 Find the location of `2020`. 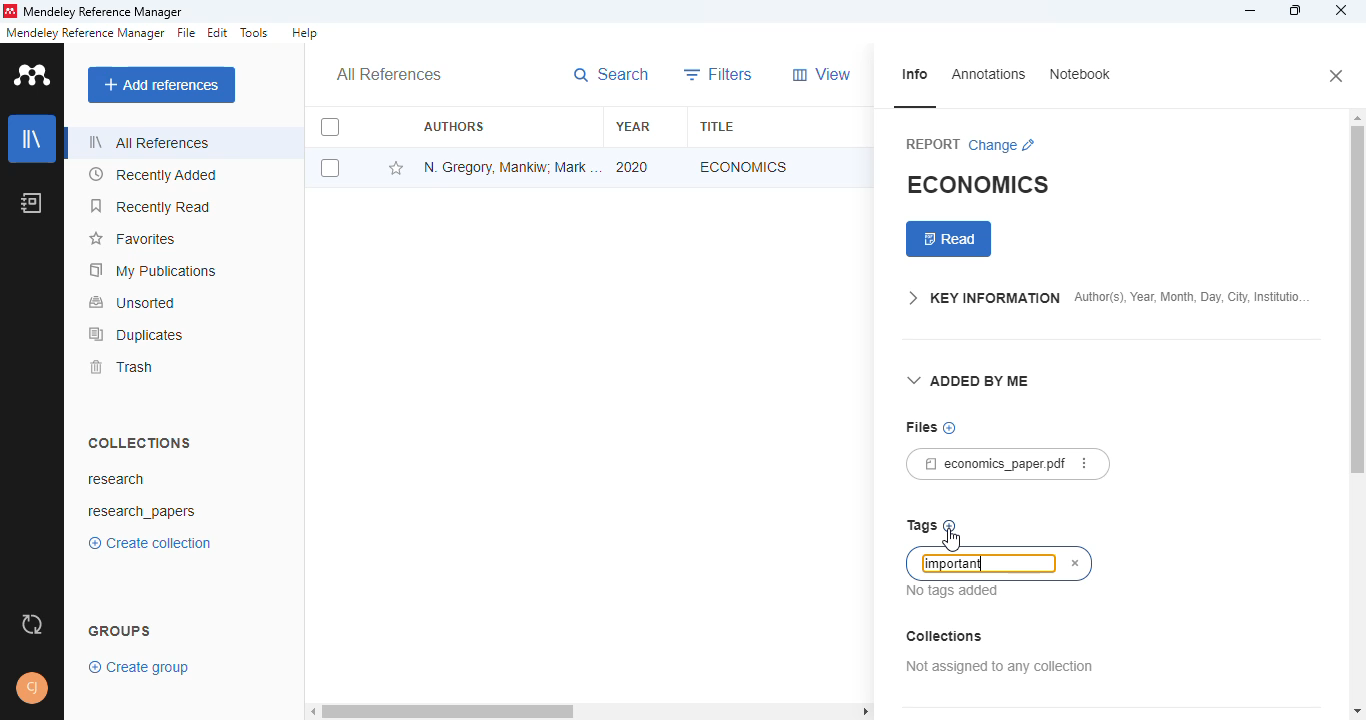

2020 is located at coordinates (633, 166).